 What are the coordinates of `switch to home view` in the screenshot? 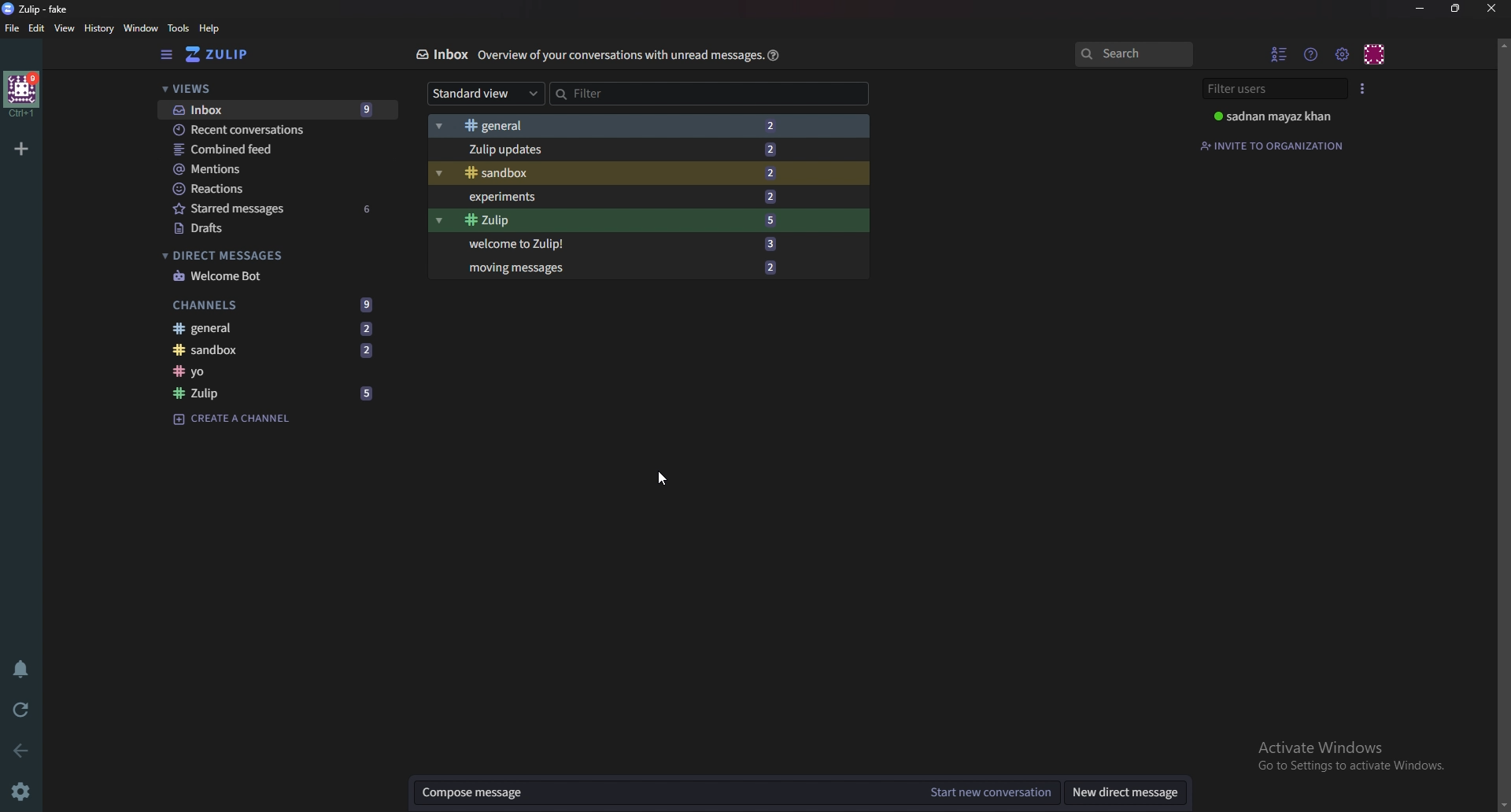 It's located at (224, 55).